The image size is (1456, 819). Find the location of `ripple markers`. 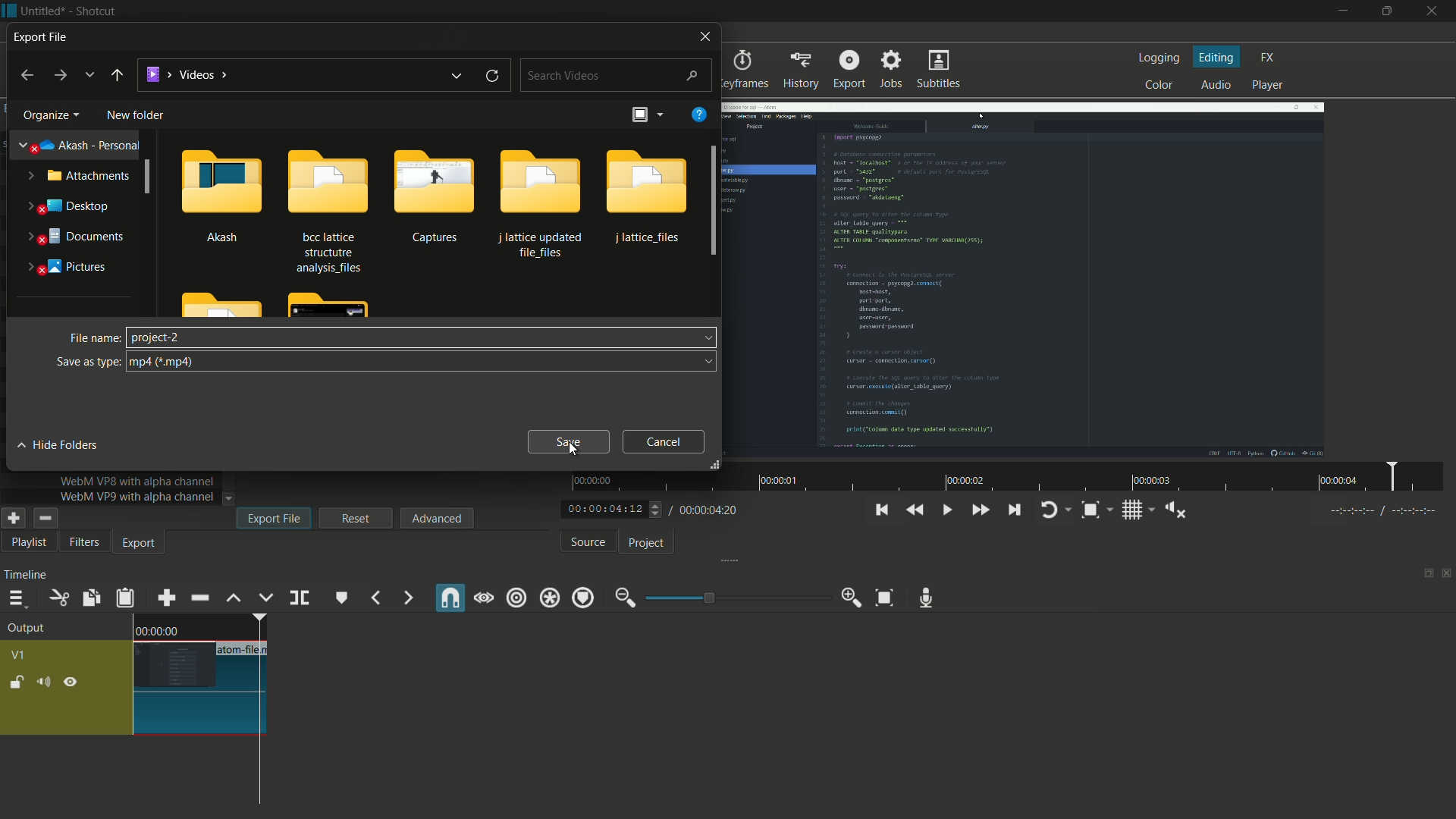

ripple markers is located at coordinates (584, 599).